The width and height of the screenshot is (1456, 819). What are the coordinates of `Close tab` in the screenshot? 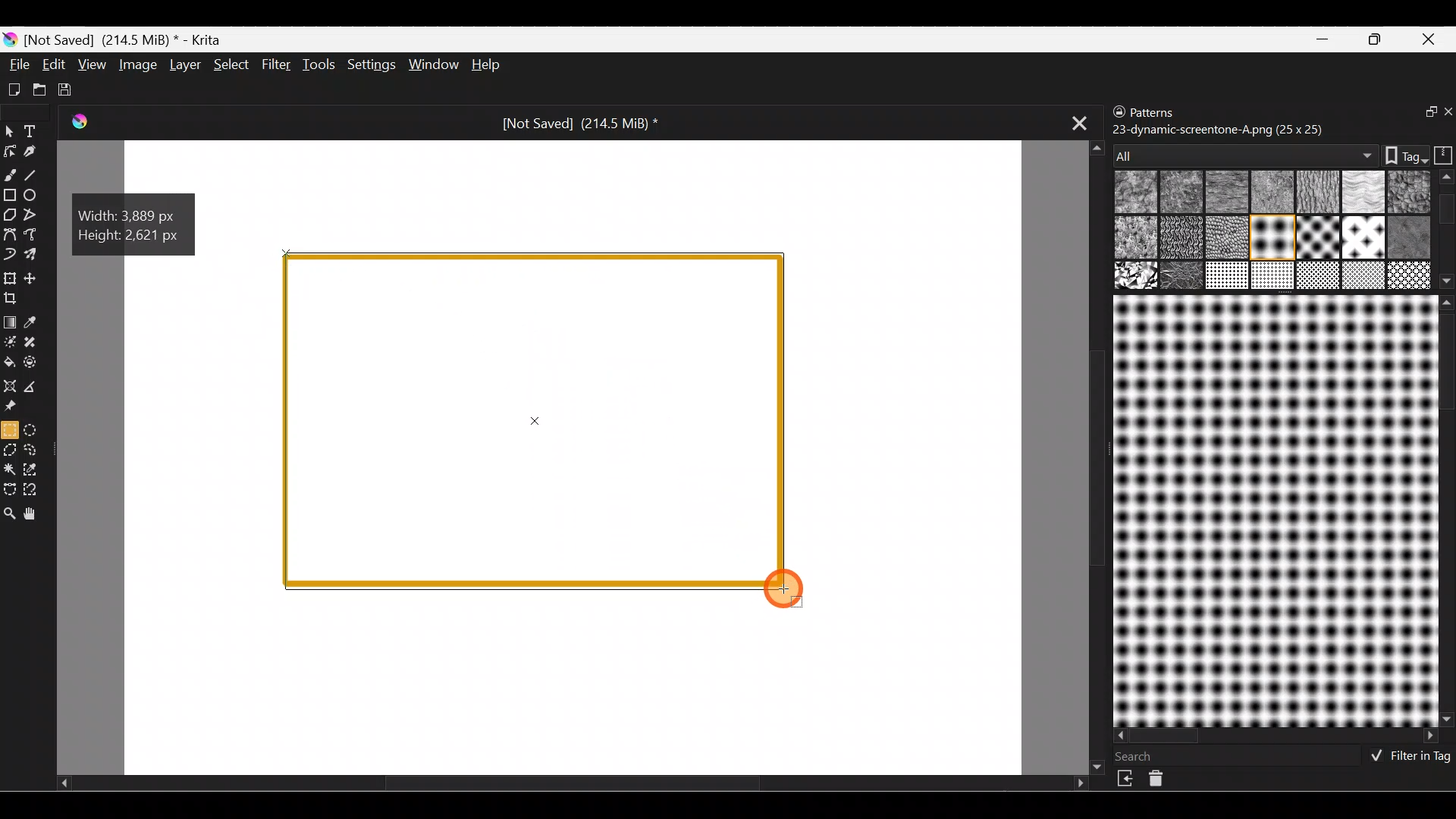 It's located at (1073, 124).